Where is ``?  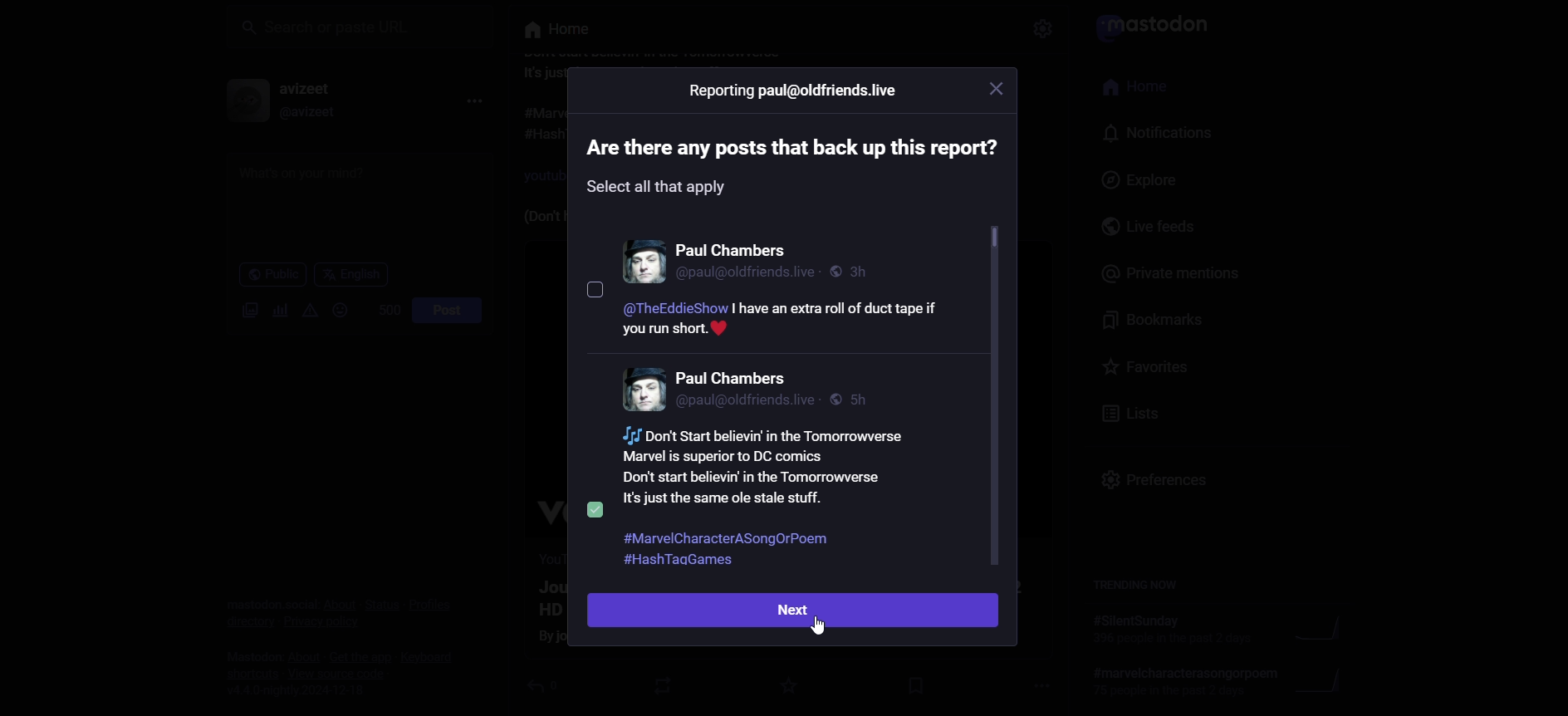
 is located at coordinates (1042, 25).